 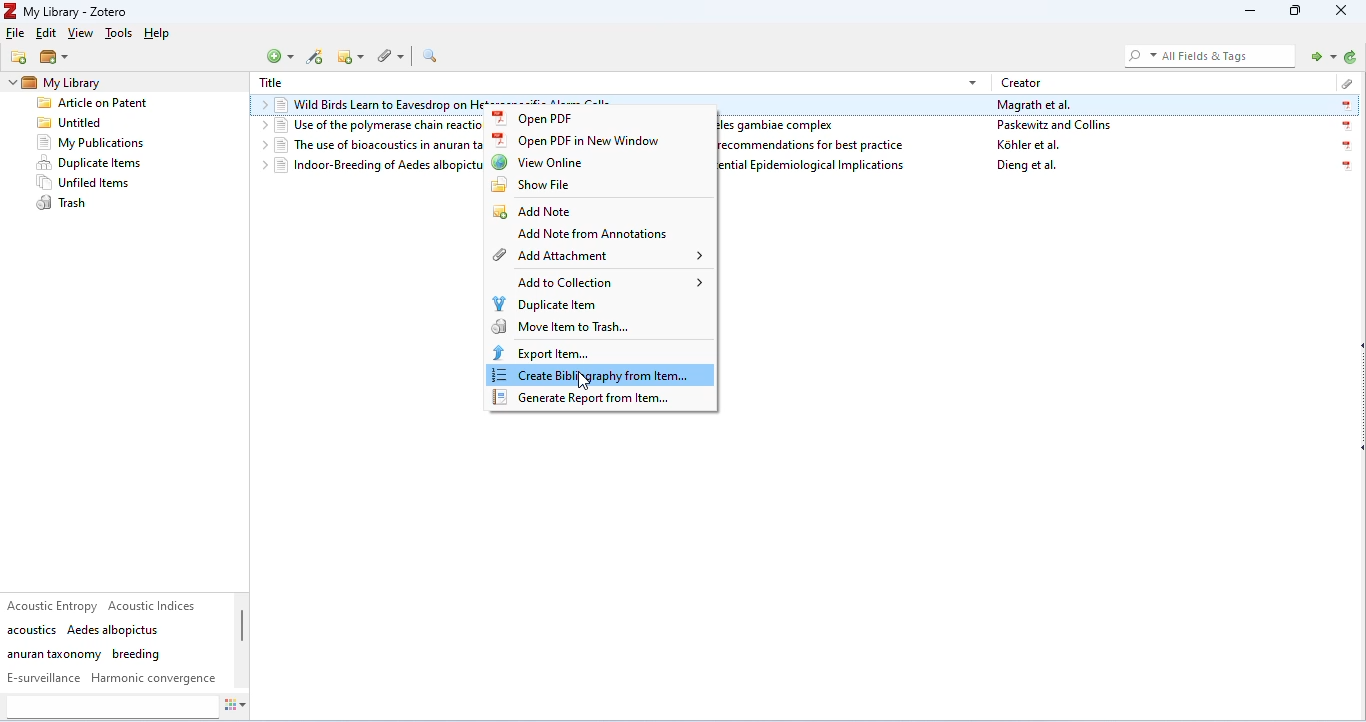 What do you see at coordinates (585, 380) in the screenshot?
I see `cursor` at bounding box center [585, 380].